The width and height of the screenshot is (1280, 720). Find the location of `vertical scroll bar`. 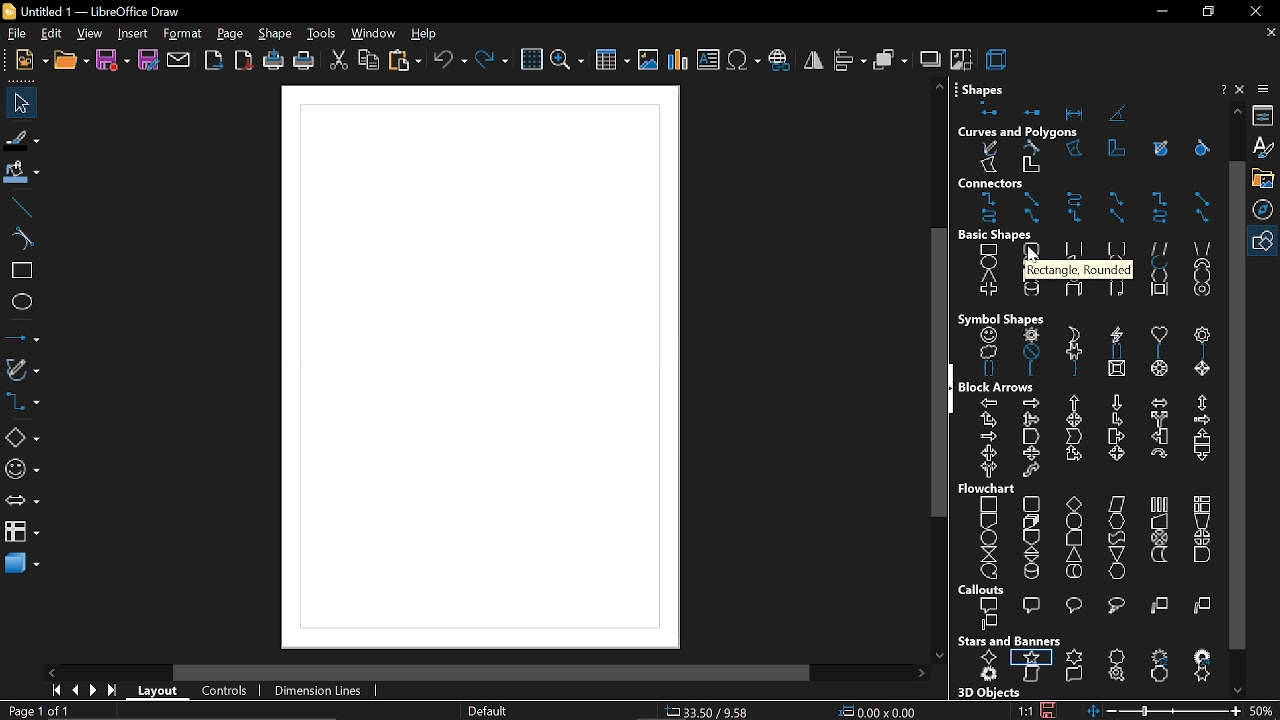

vertical scroll bar is located at coordinates (932, 376).